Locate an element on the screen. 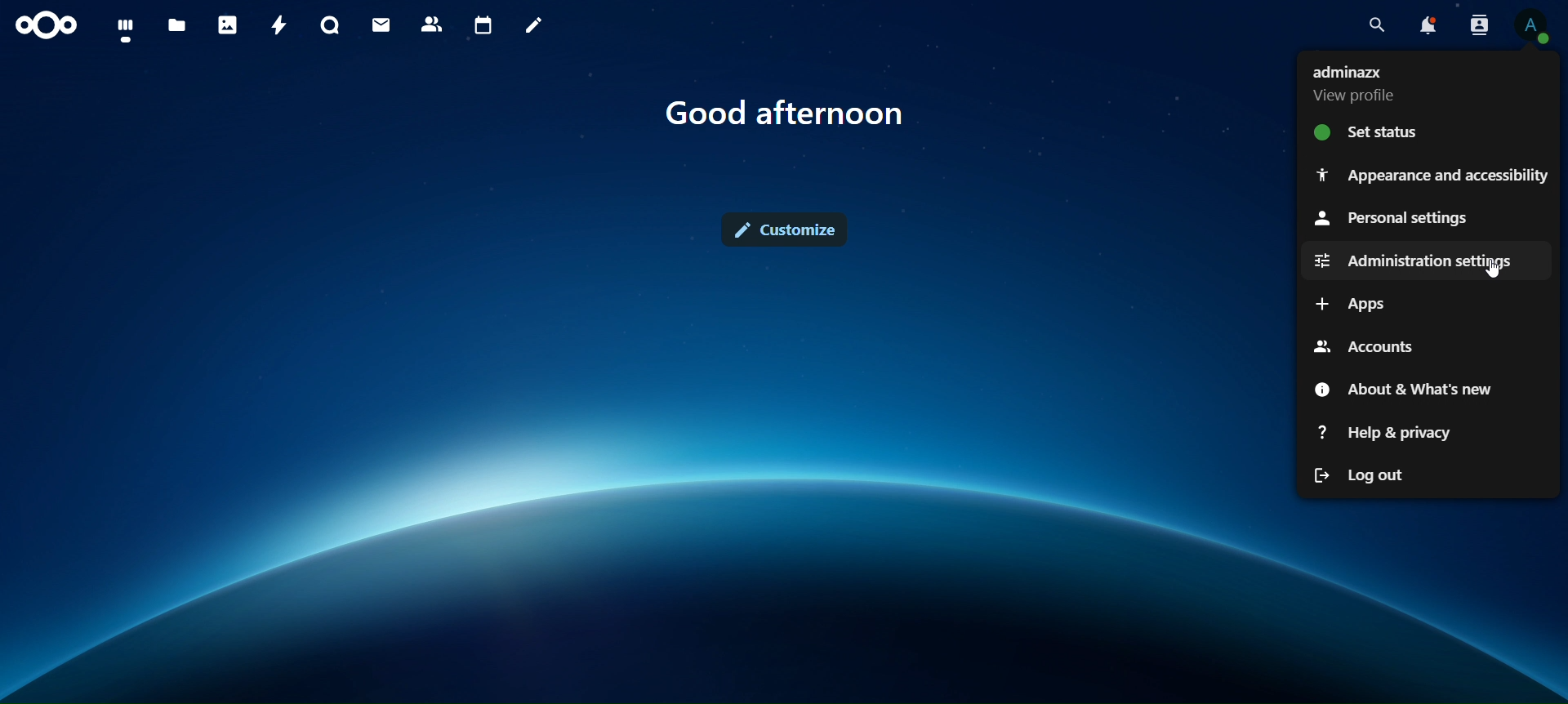 This screenshot has height=704, width=1568. talk is located at coordinates (333, 25).